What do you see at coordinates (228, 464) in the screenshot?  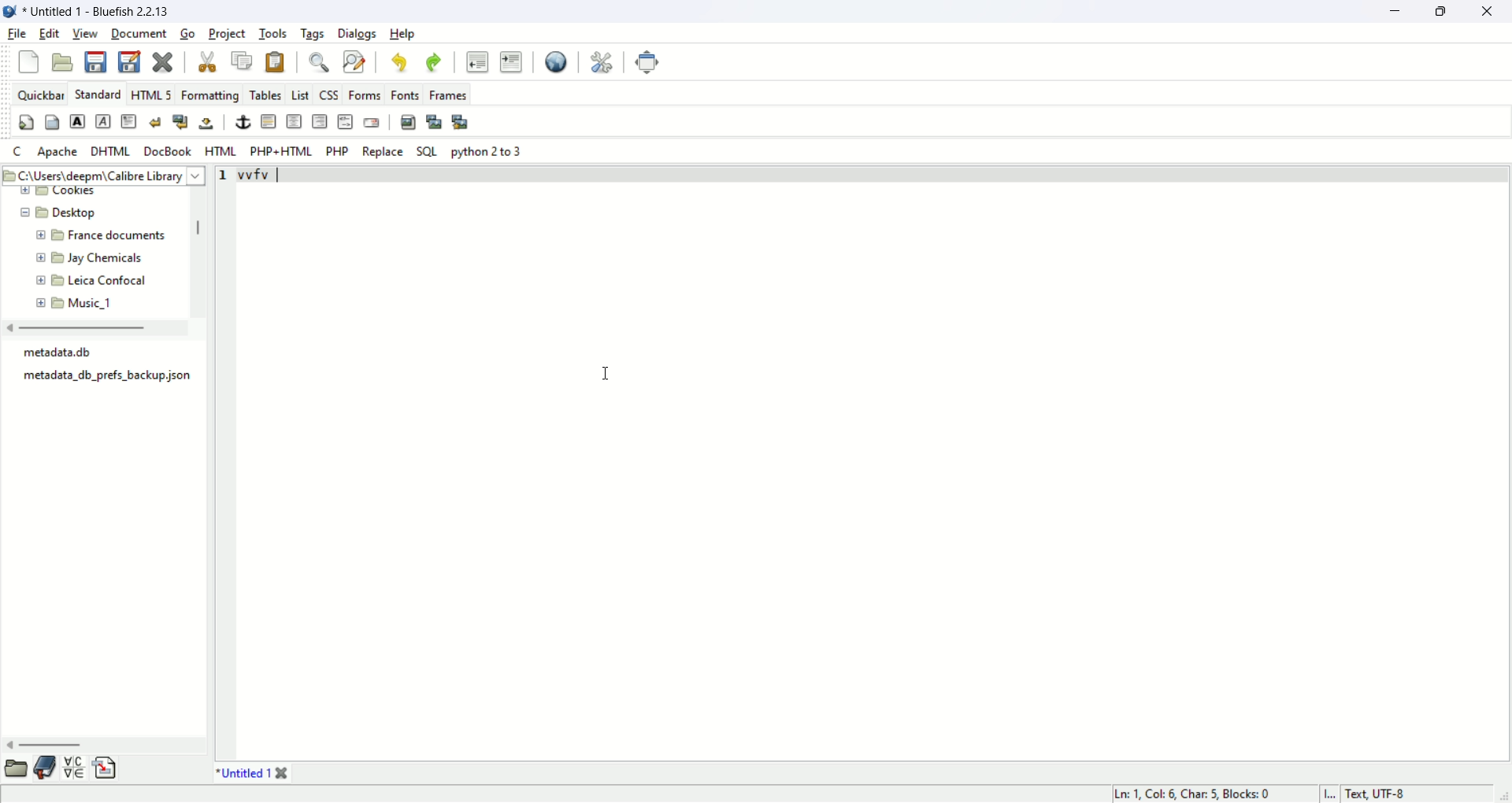 I see `line number` at bounding box center [228, 464].